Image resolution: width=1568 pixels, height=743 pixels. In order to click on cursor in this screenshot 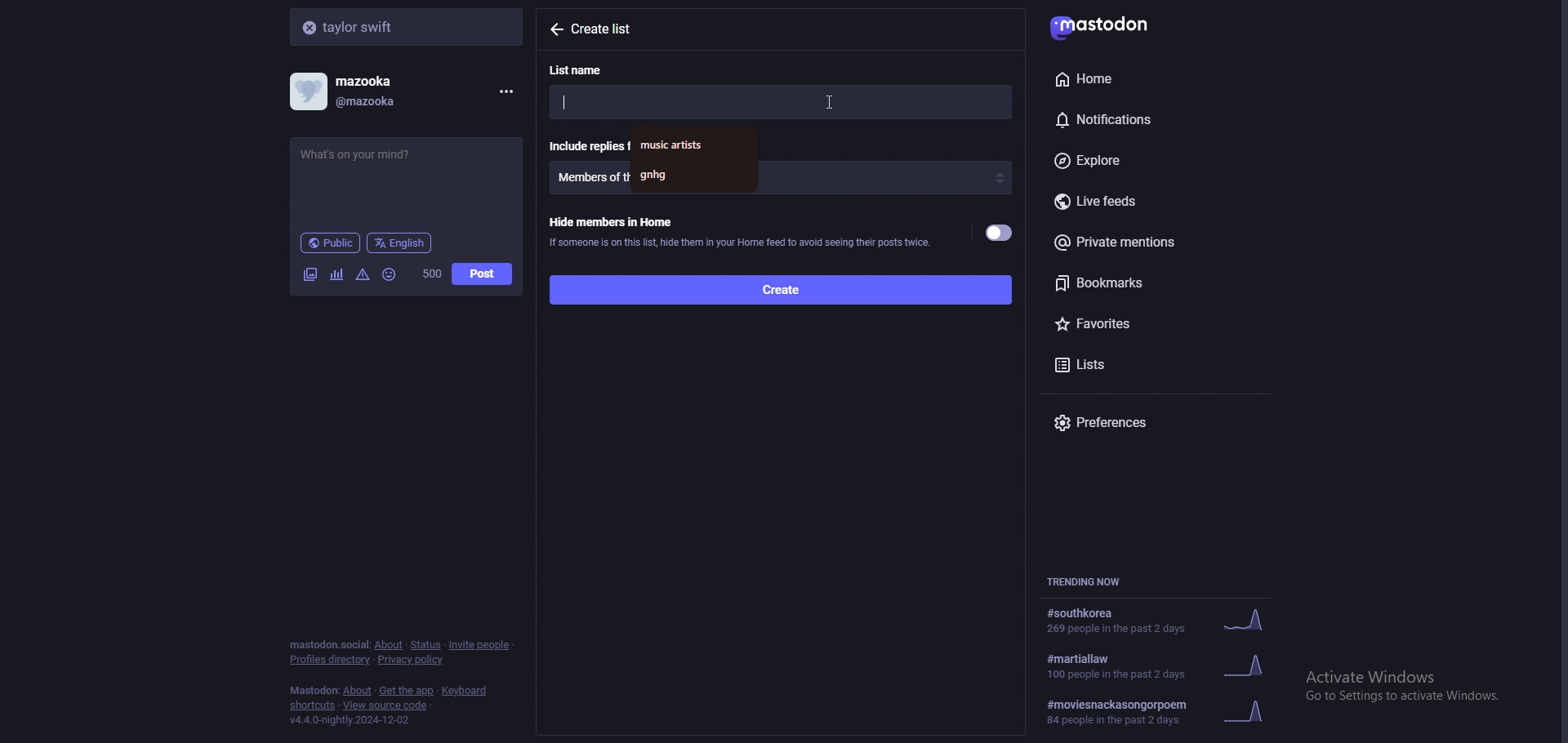, I will do `click(830, 102)`.